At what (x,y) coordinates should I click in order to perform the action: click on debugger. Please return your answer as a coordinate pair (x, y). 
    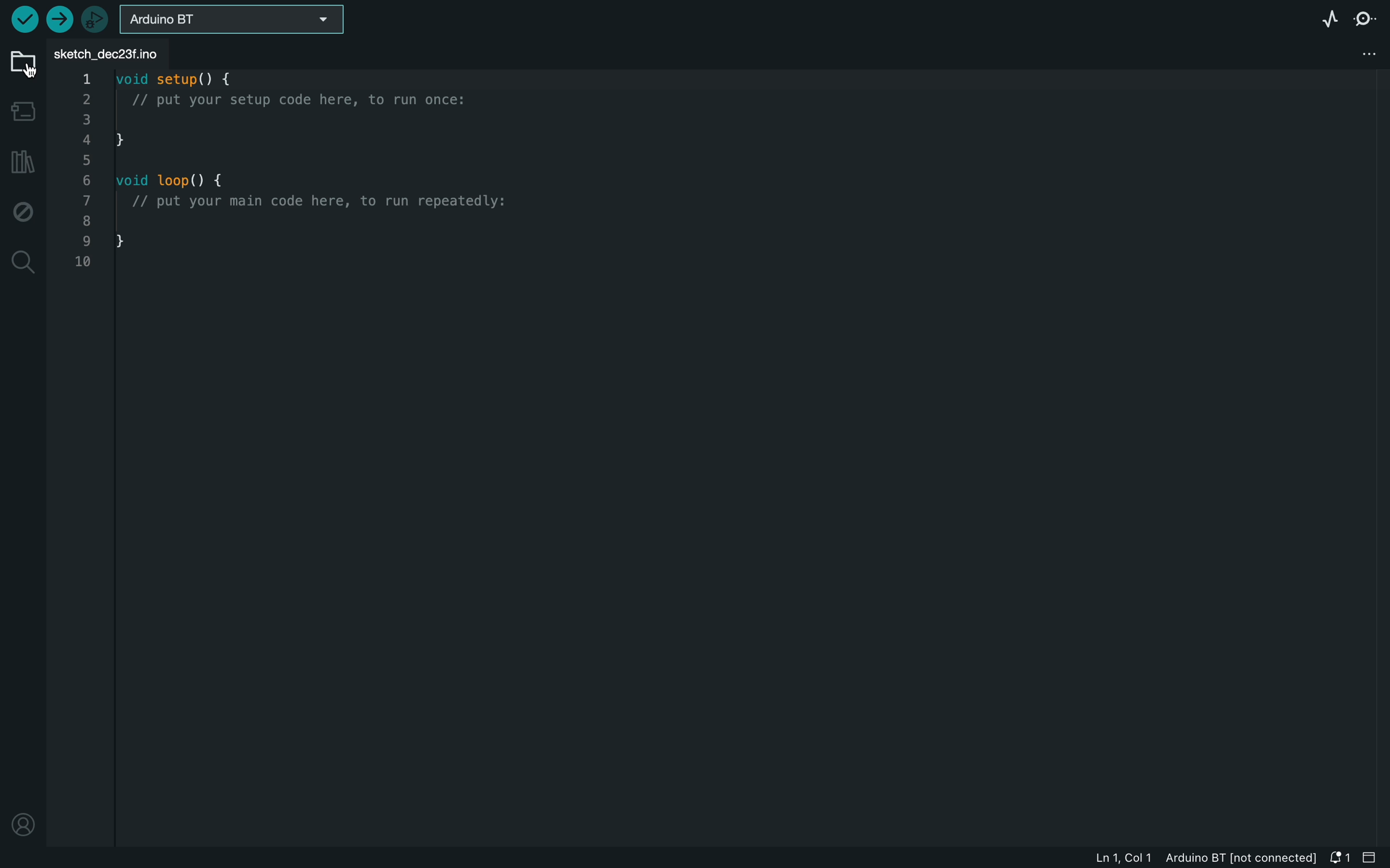
    Looking at the image, I should click on (98, 19).